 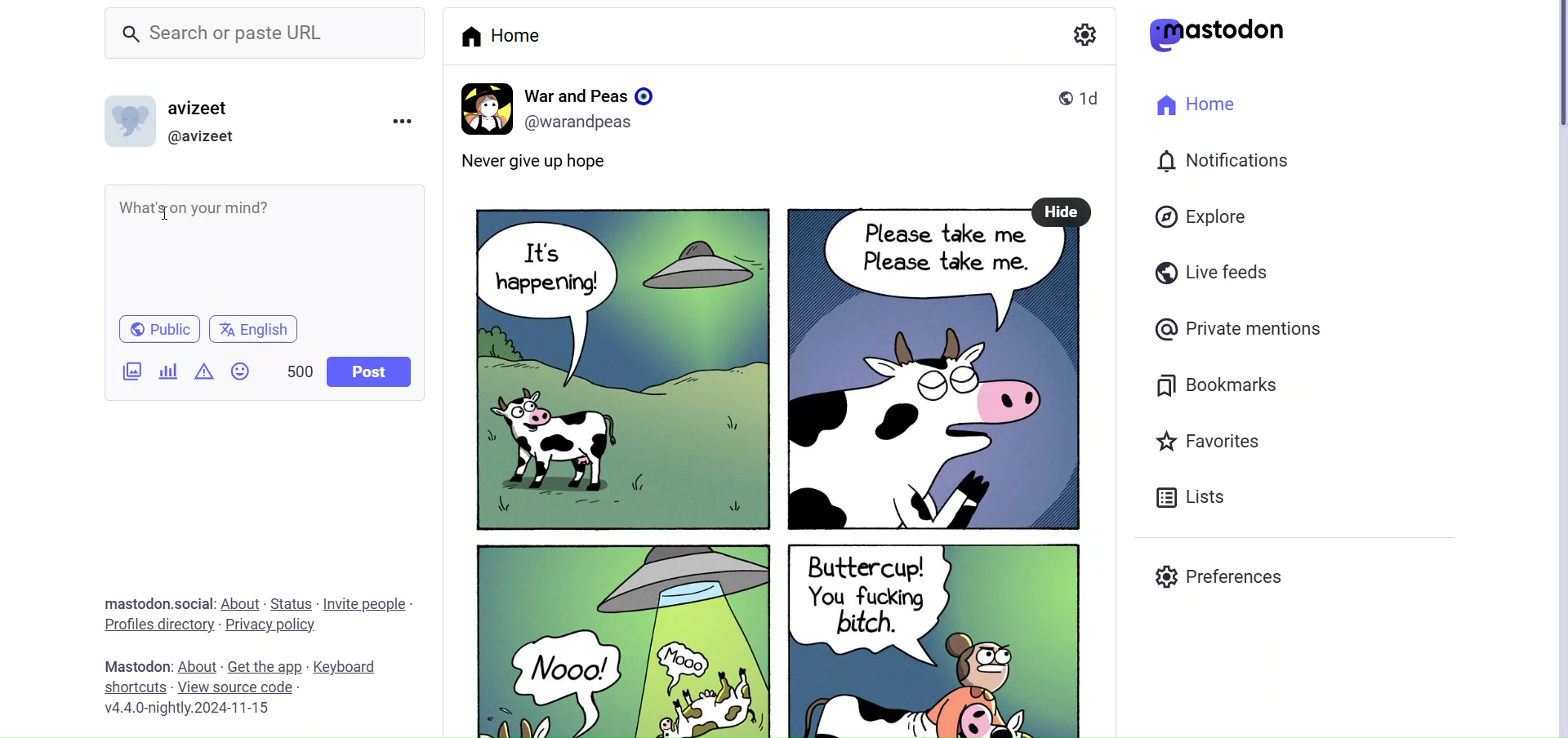 I want to click on Never give up hope, so click(x=558, y=164).